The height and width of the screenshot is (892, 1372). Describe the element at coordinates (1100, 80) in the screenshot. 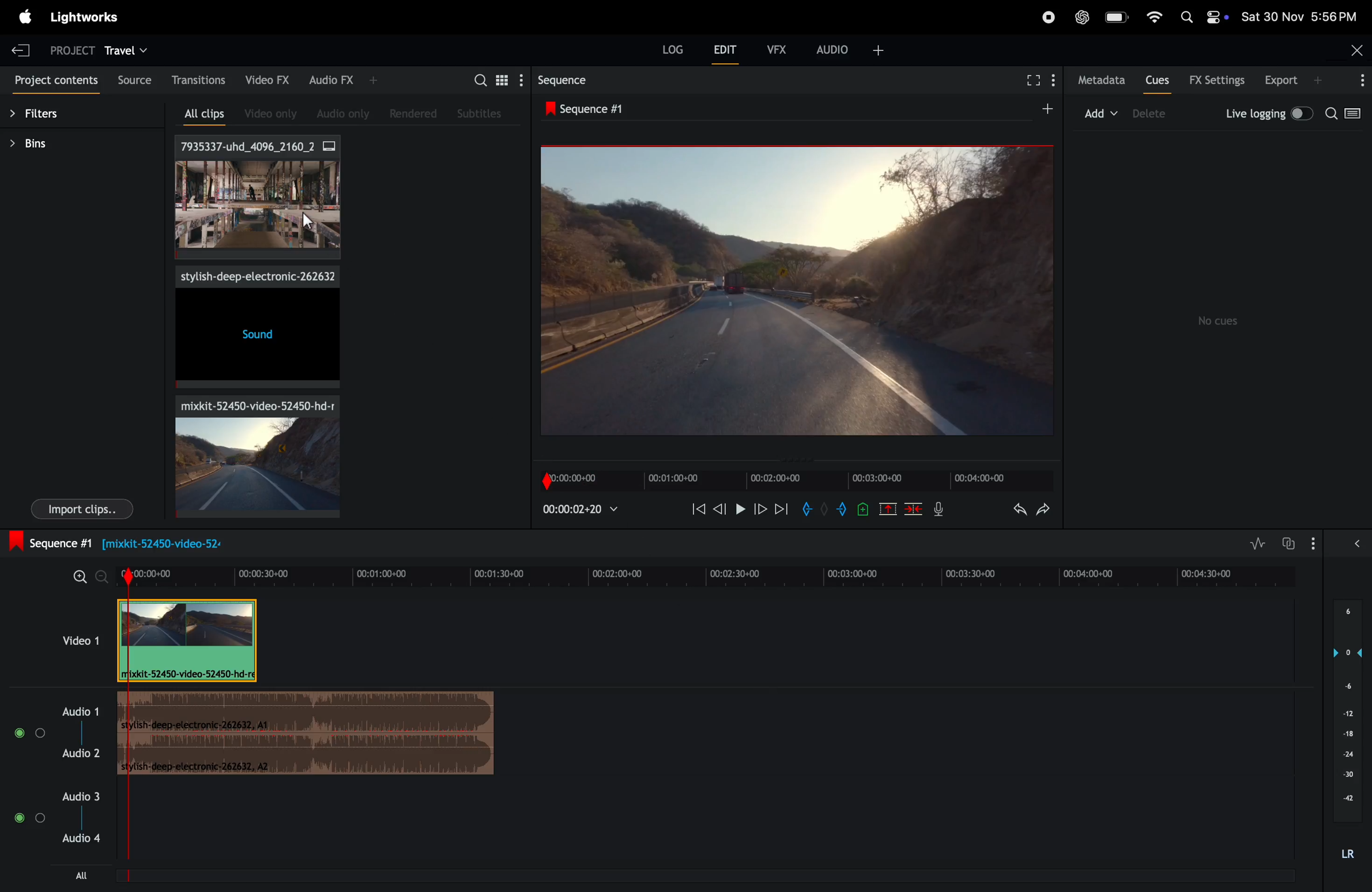

I see `metadata` at that location.